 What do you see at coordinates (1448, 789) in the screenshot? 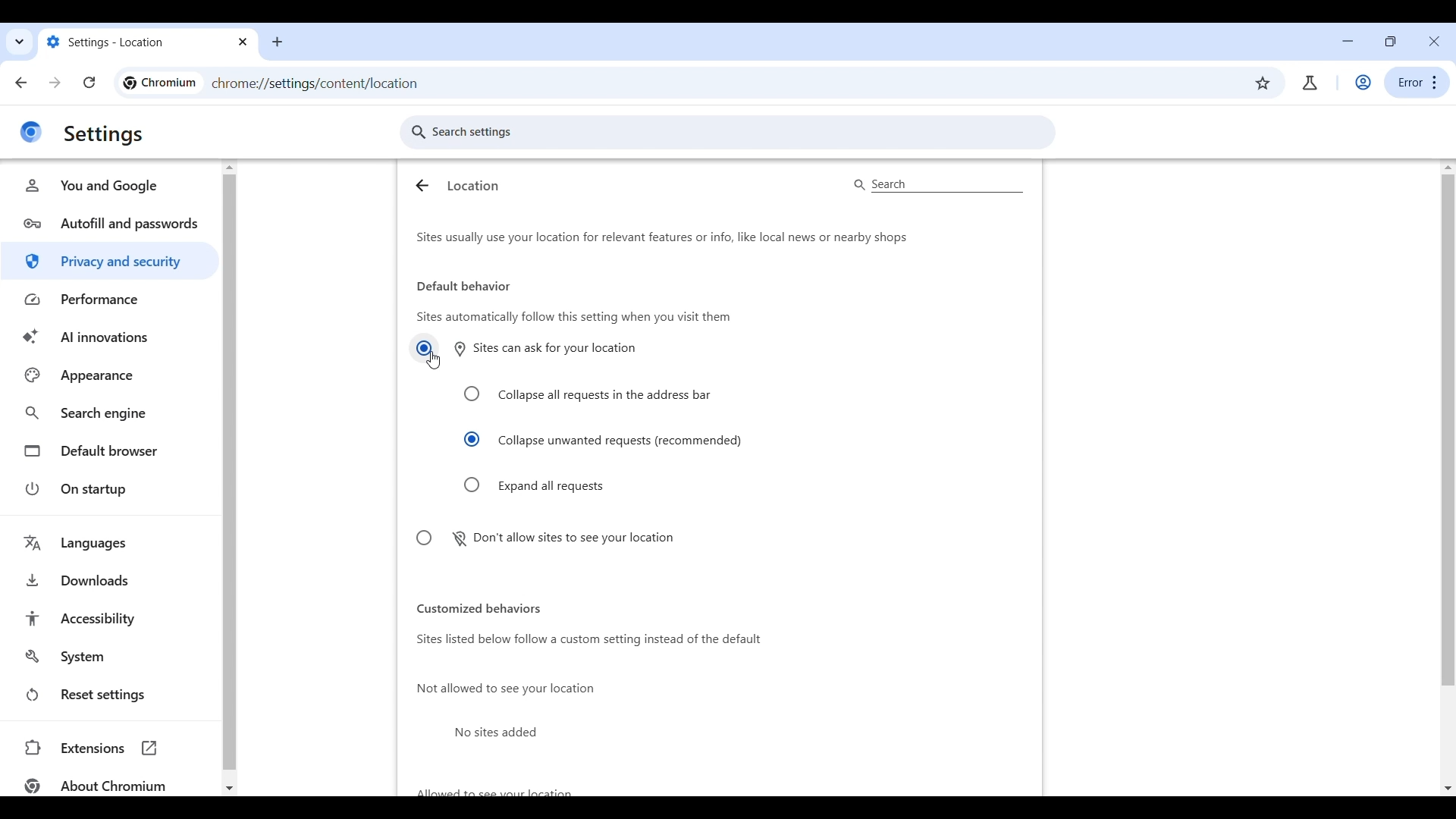
I see `Quick slide to bottom` at bounding box center [1448, 789].